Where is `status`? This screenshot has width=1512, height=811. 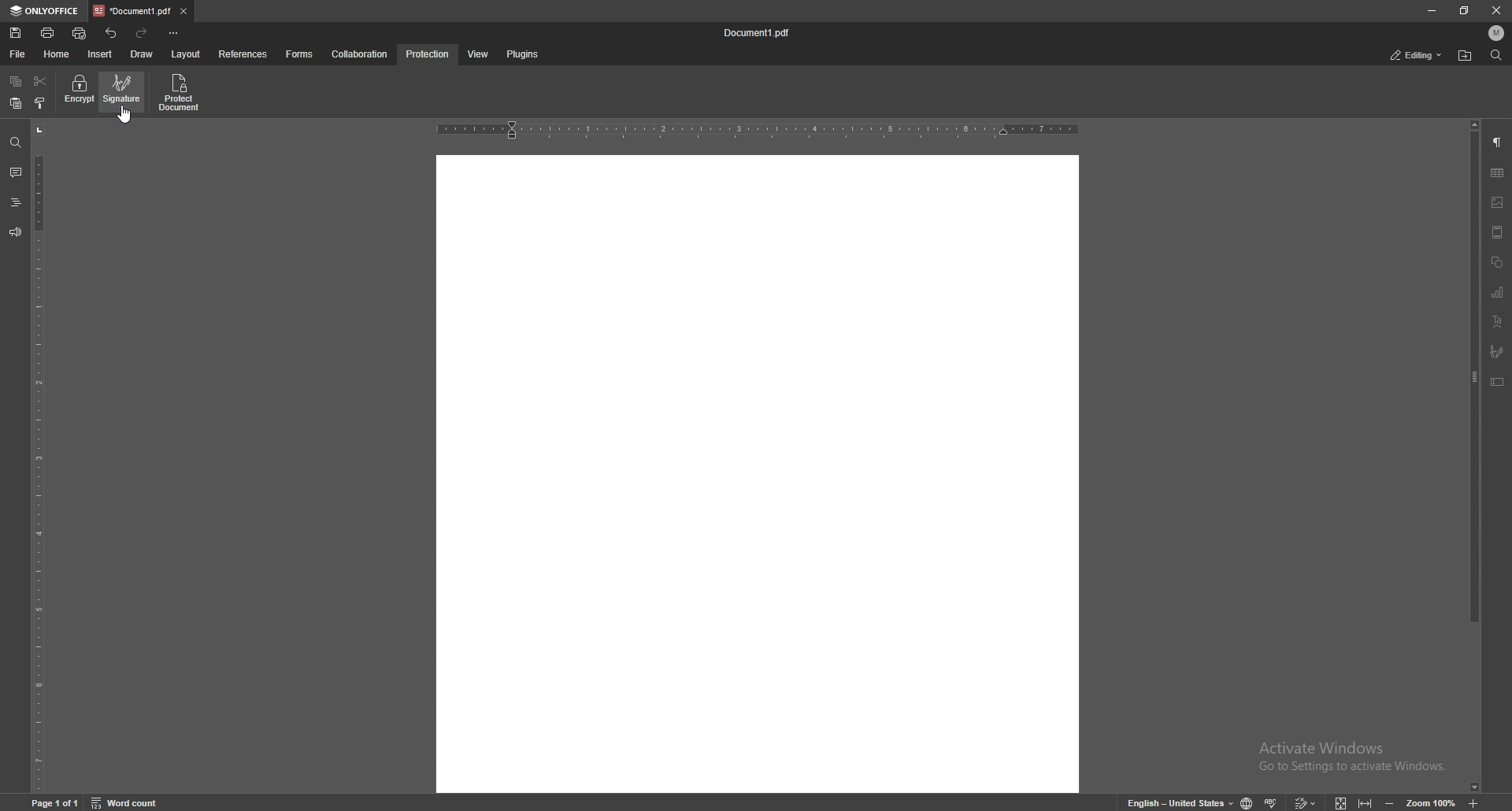
status is located at coordinates (1417, 56).